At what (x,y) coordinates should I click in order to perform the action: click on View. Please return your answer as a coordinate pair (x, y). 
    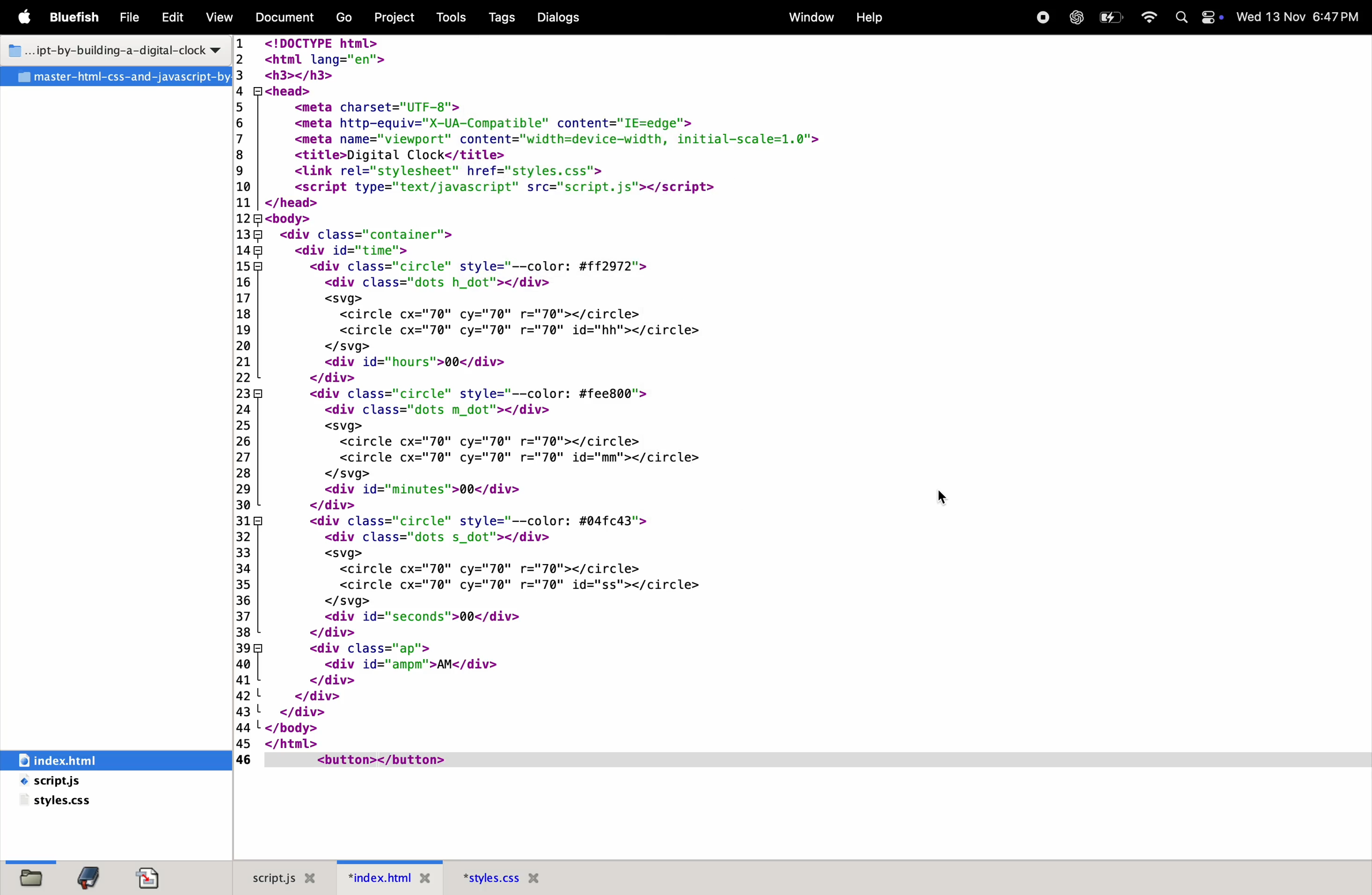
    Looking at the image, I should click on (220, 17).